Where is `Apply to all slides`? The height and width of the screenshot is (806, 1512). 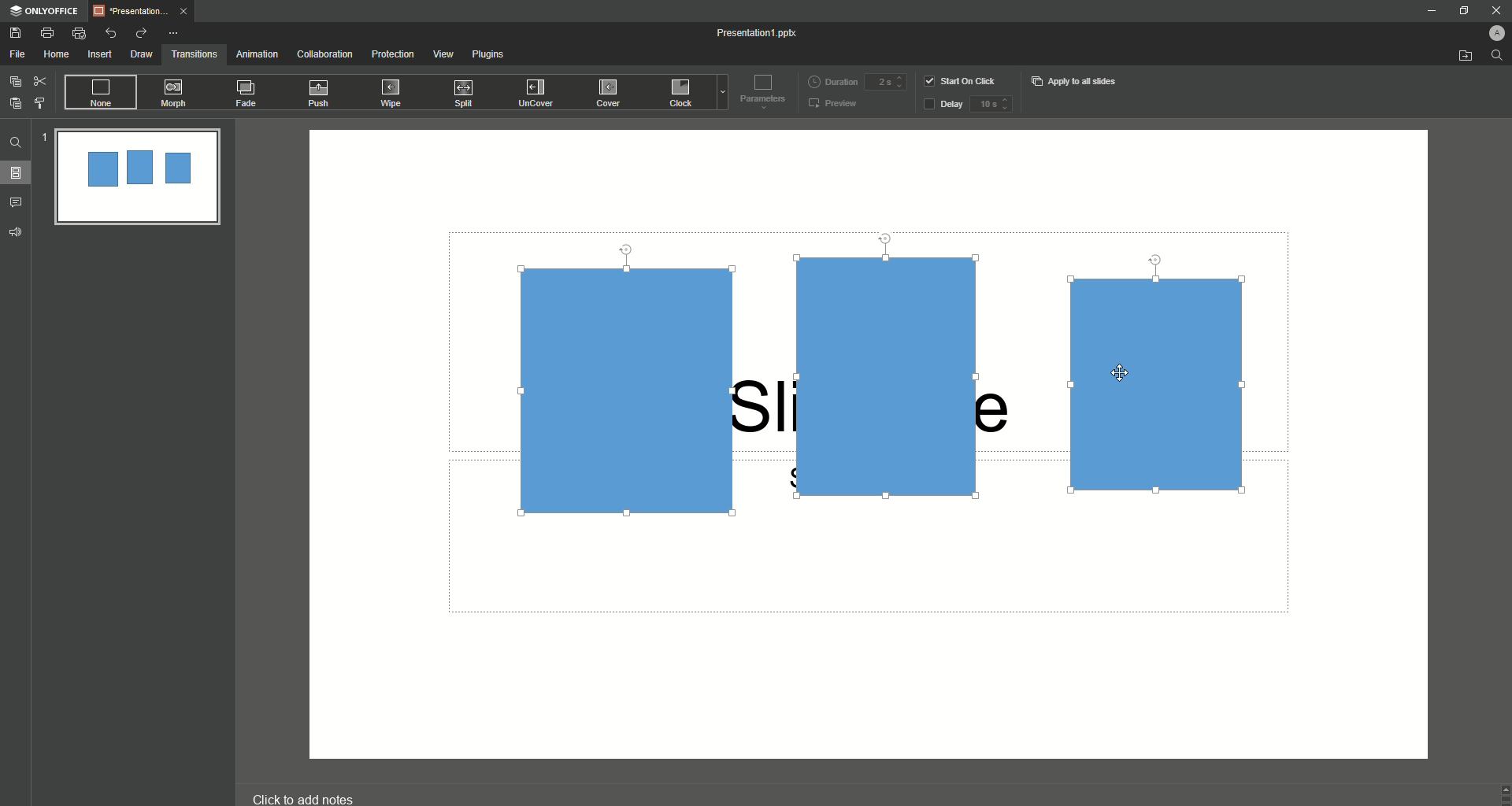 Apply to all slides is located at coordinates (1076, 81).